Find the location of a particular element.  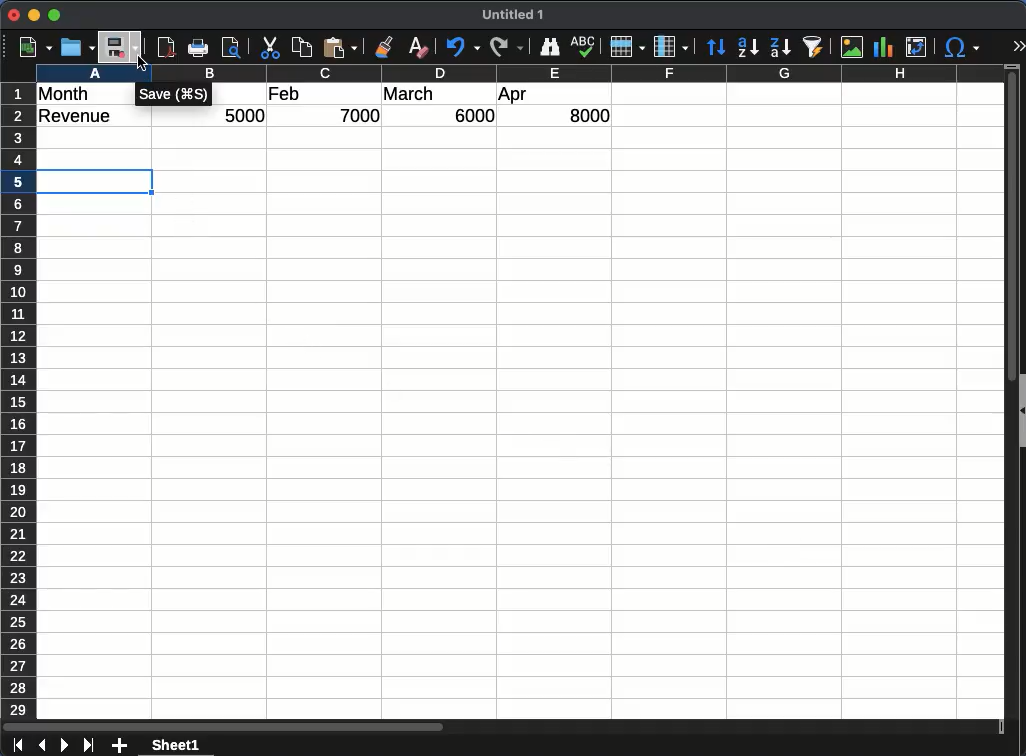

apr is located at coordinates (514, 96).